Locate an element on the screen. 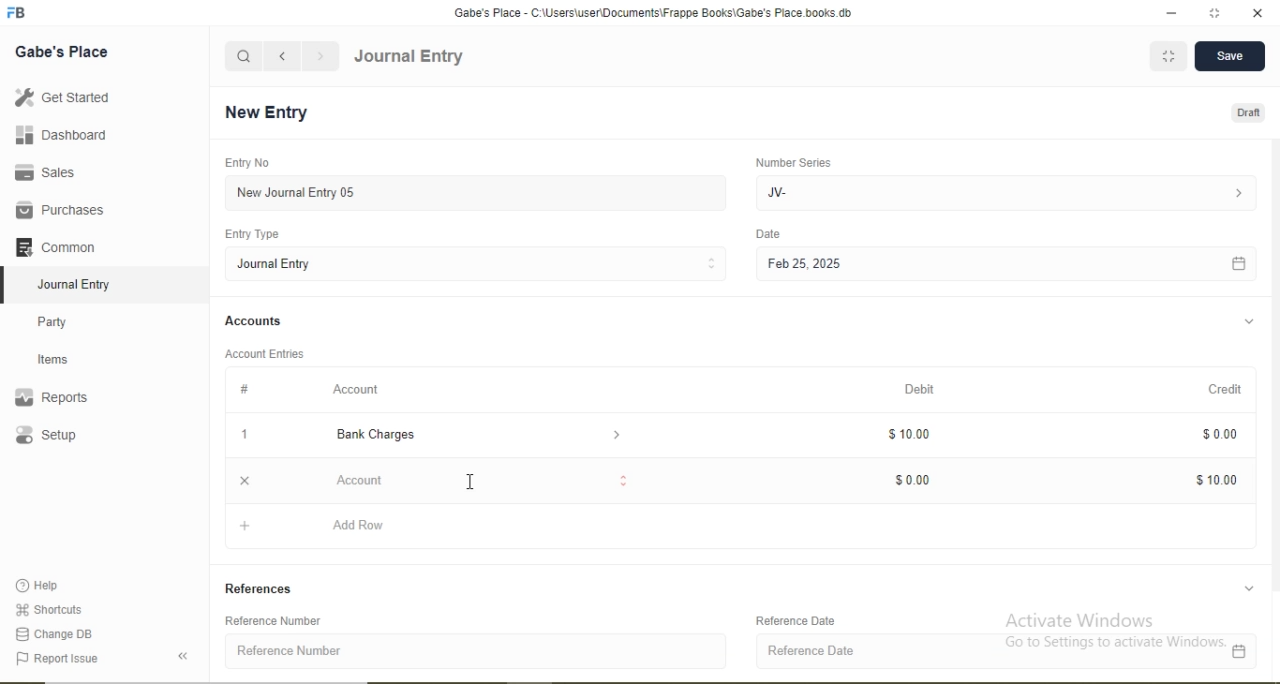  Entry No is located at coordinates (244, 162).